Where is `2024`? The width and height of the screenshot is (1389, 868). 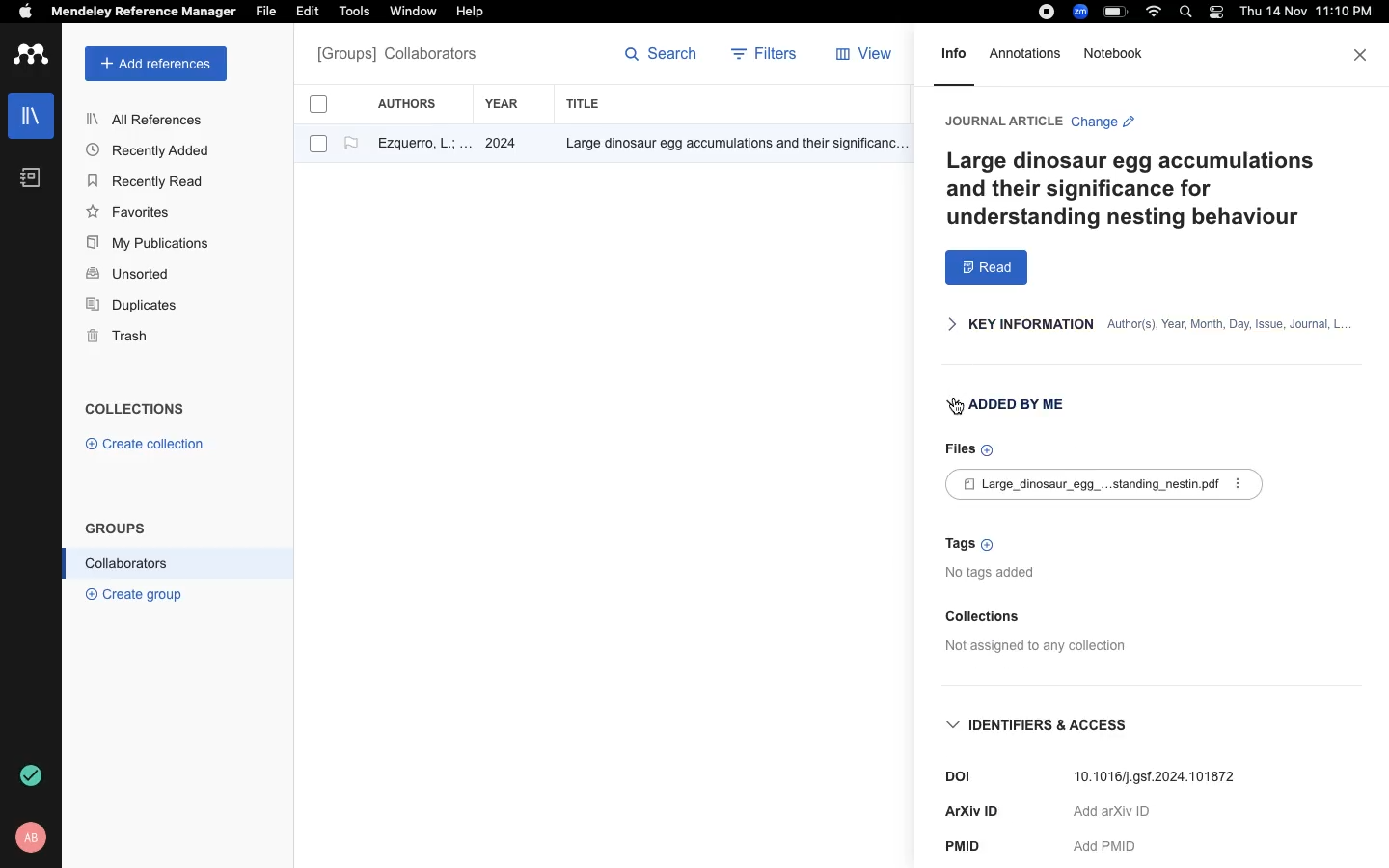
2024 is located at coordinates (504, 145).